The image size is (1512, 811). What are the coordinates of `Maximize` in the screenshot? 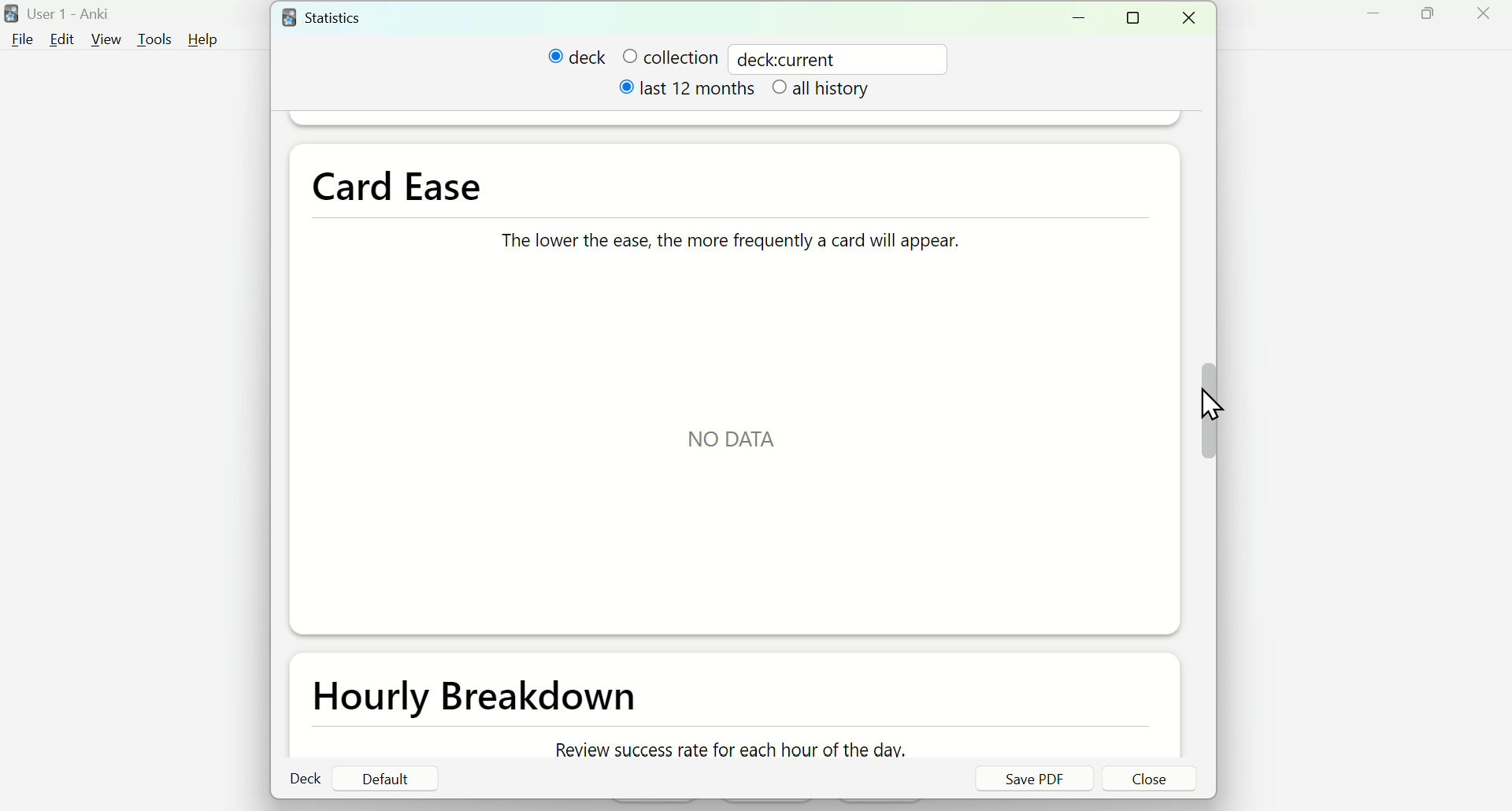 It's located at (1138, 19).